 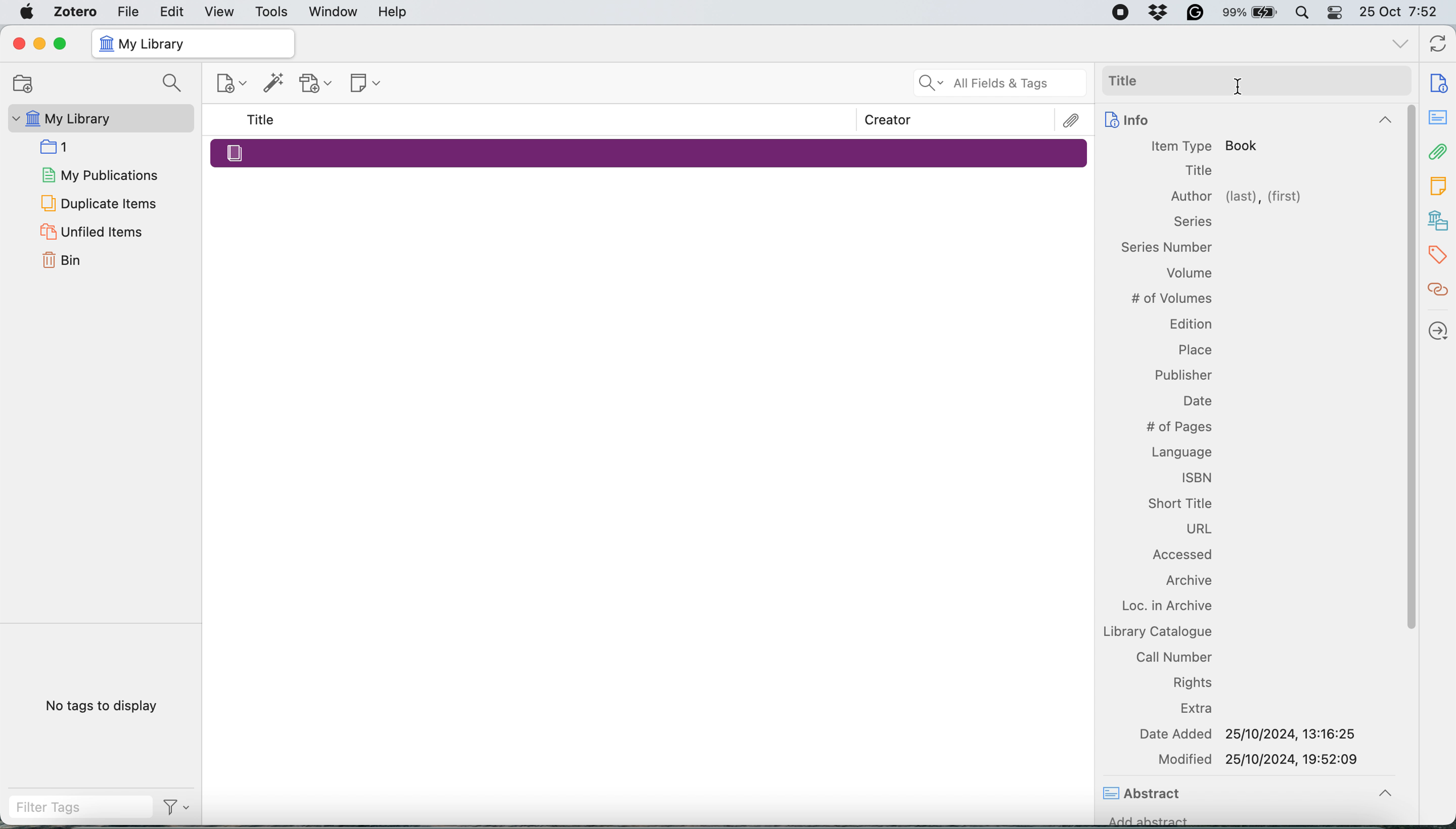 I want to click on Spotlight Search, so click(x=1301, y=13).